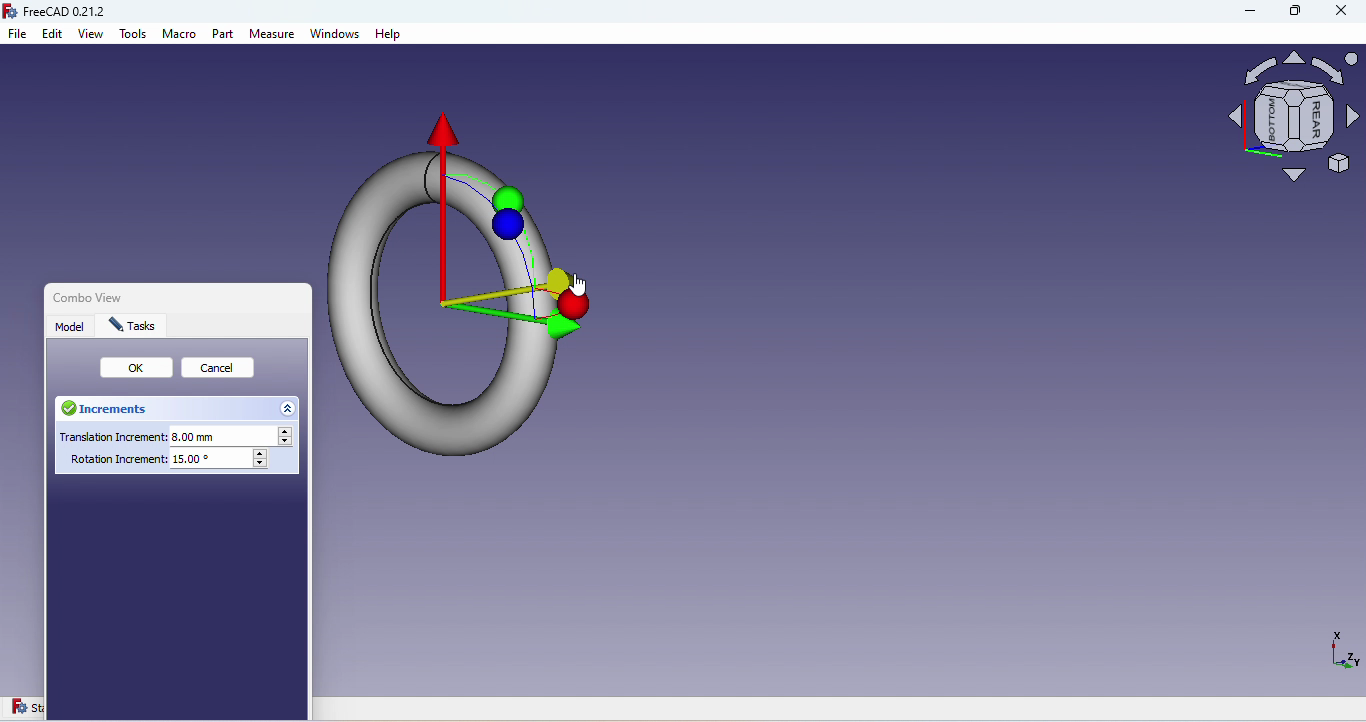 The width and height of the screenshot is (1366, 722). Describe the element at coordinates (336, 36) in the screenshot. I see `Windows` at that location.